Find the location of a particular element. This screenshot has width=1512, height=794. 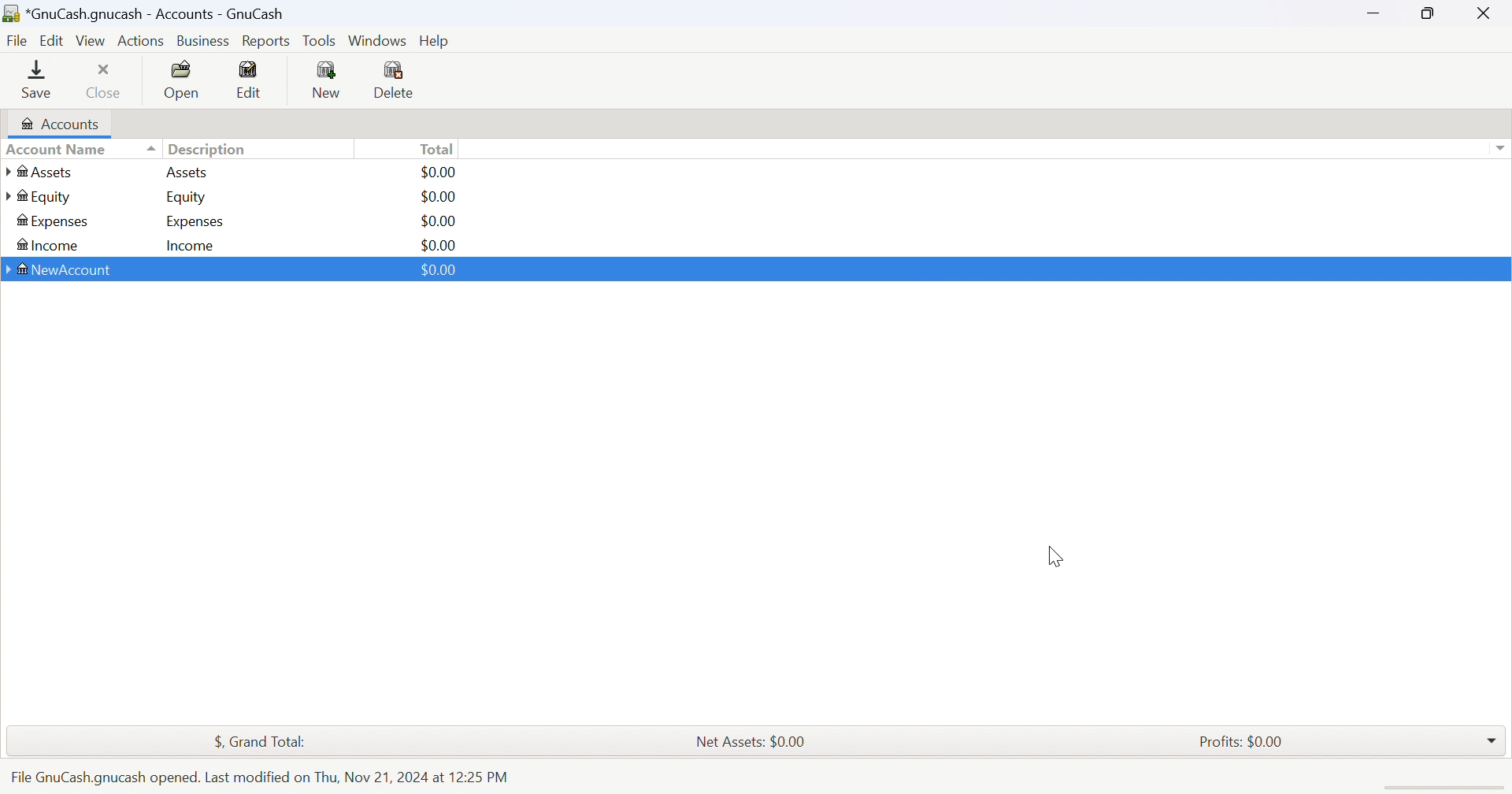

Total is located at coordinates (439, 148).